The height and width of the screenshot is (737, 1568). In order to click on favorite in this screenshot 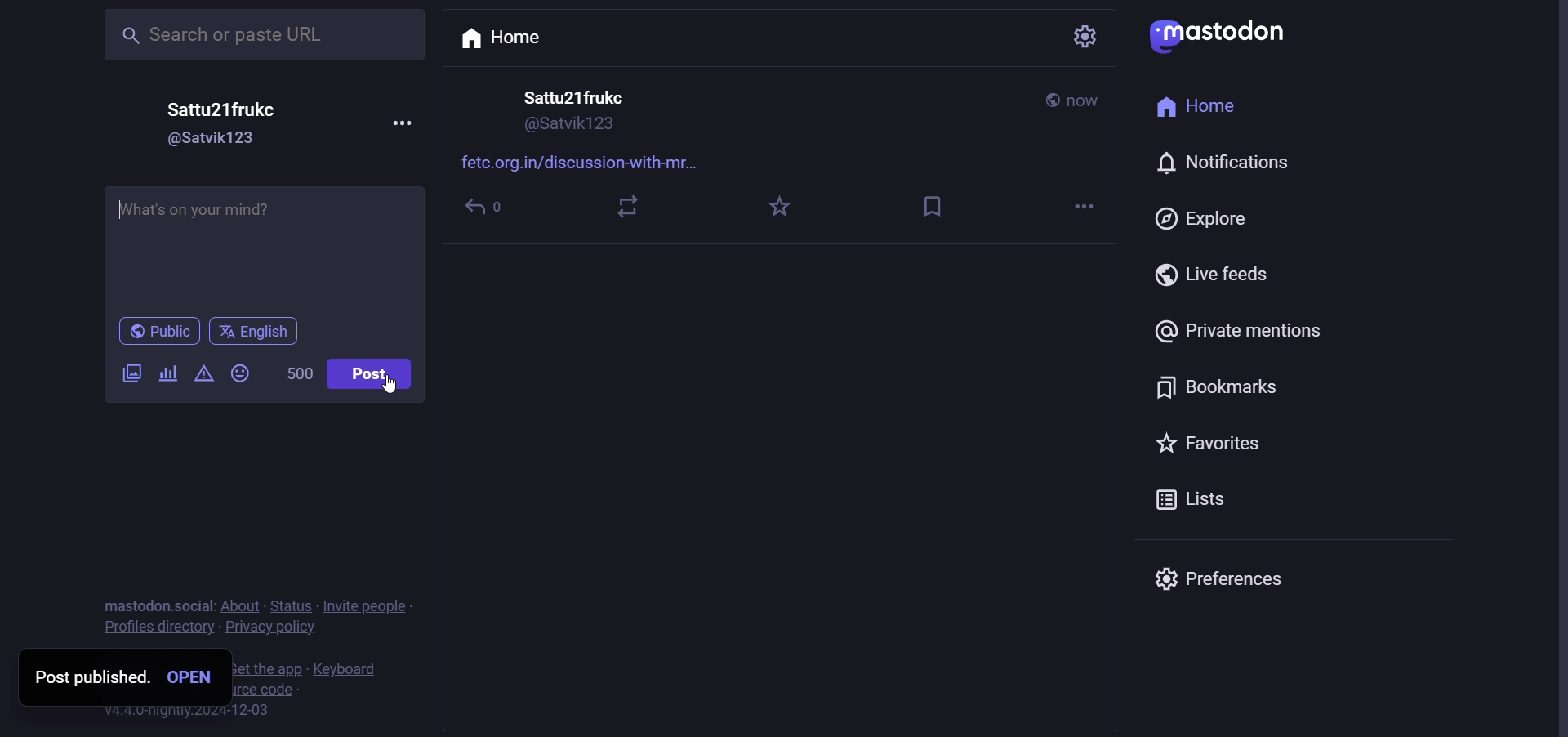, I will do `click(1211, 444)`.